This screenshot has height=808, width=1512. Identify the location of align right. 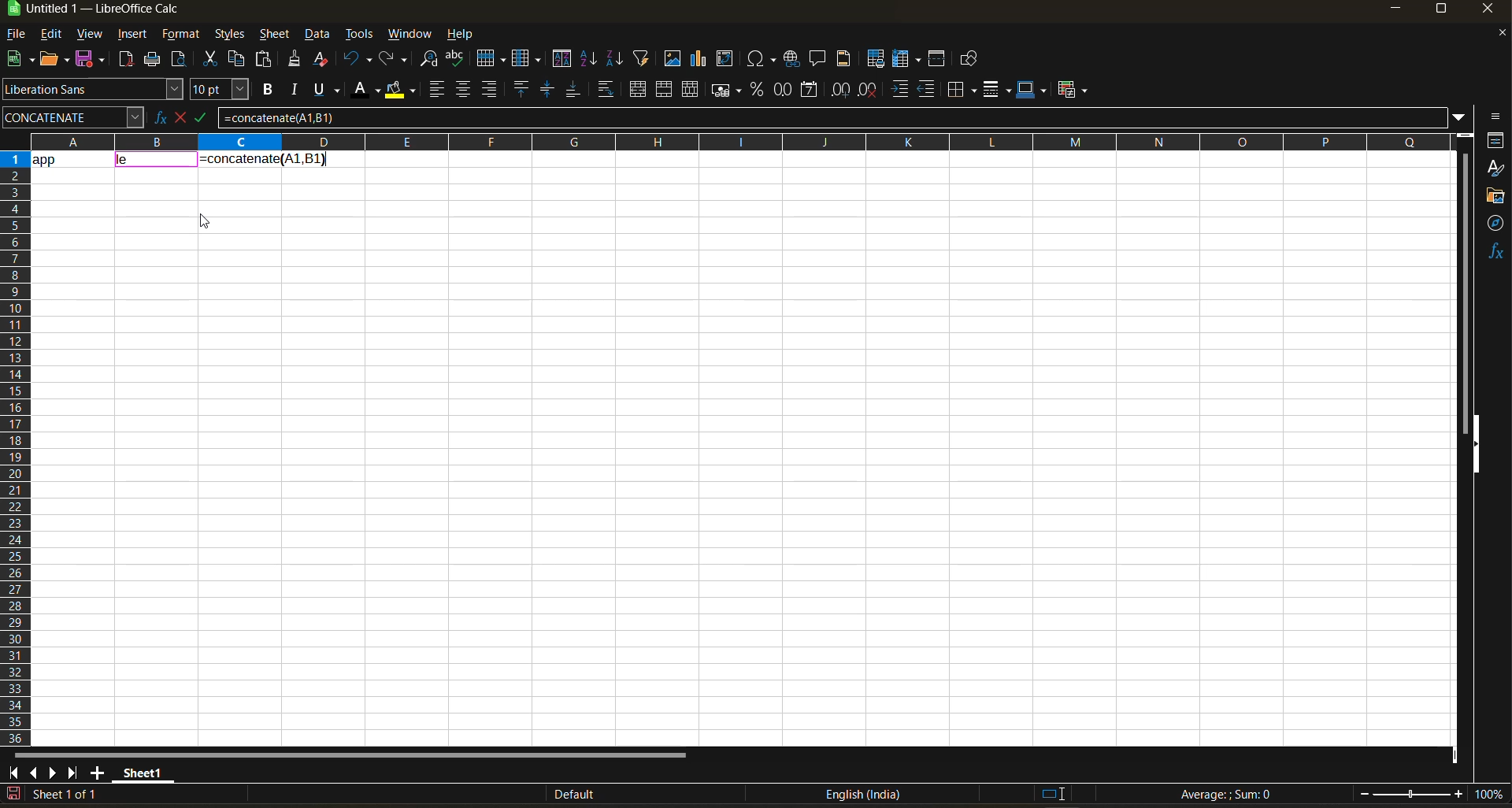
(491, 90).